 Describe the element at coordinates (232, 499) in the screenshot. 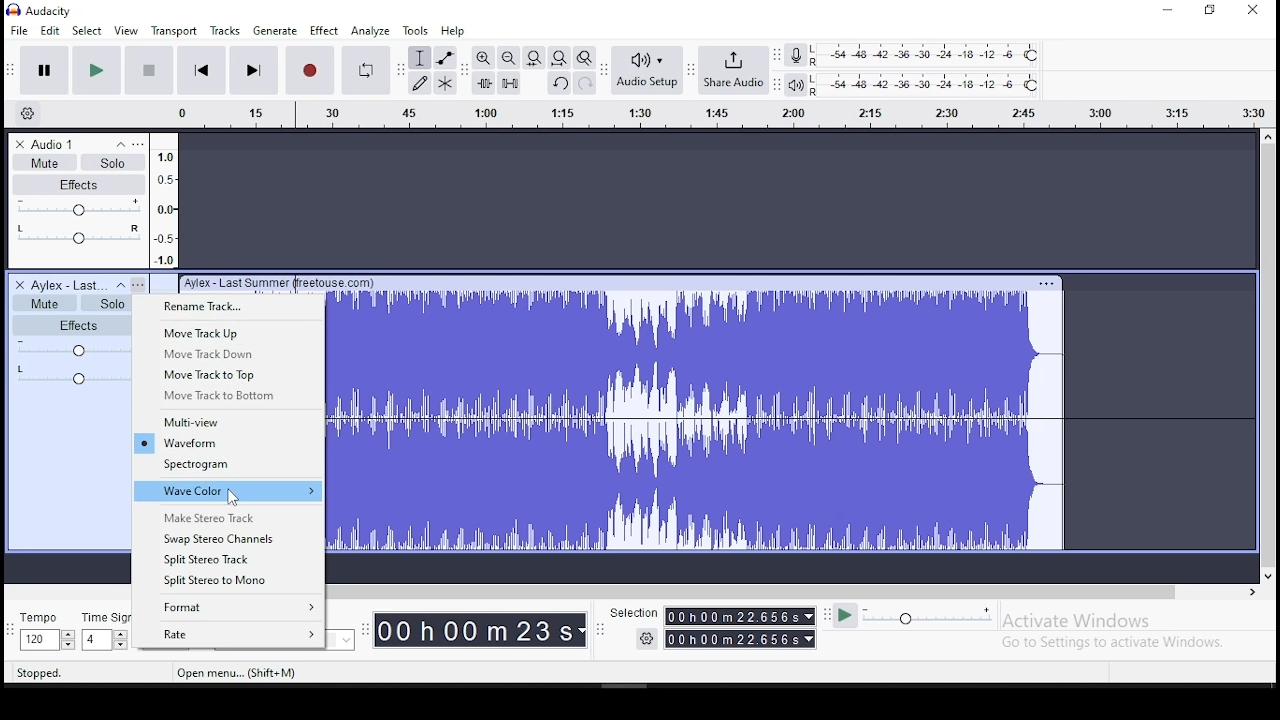

I see `Cursor` at that location.